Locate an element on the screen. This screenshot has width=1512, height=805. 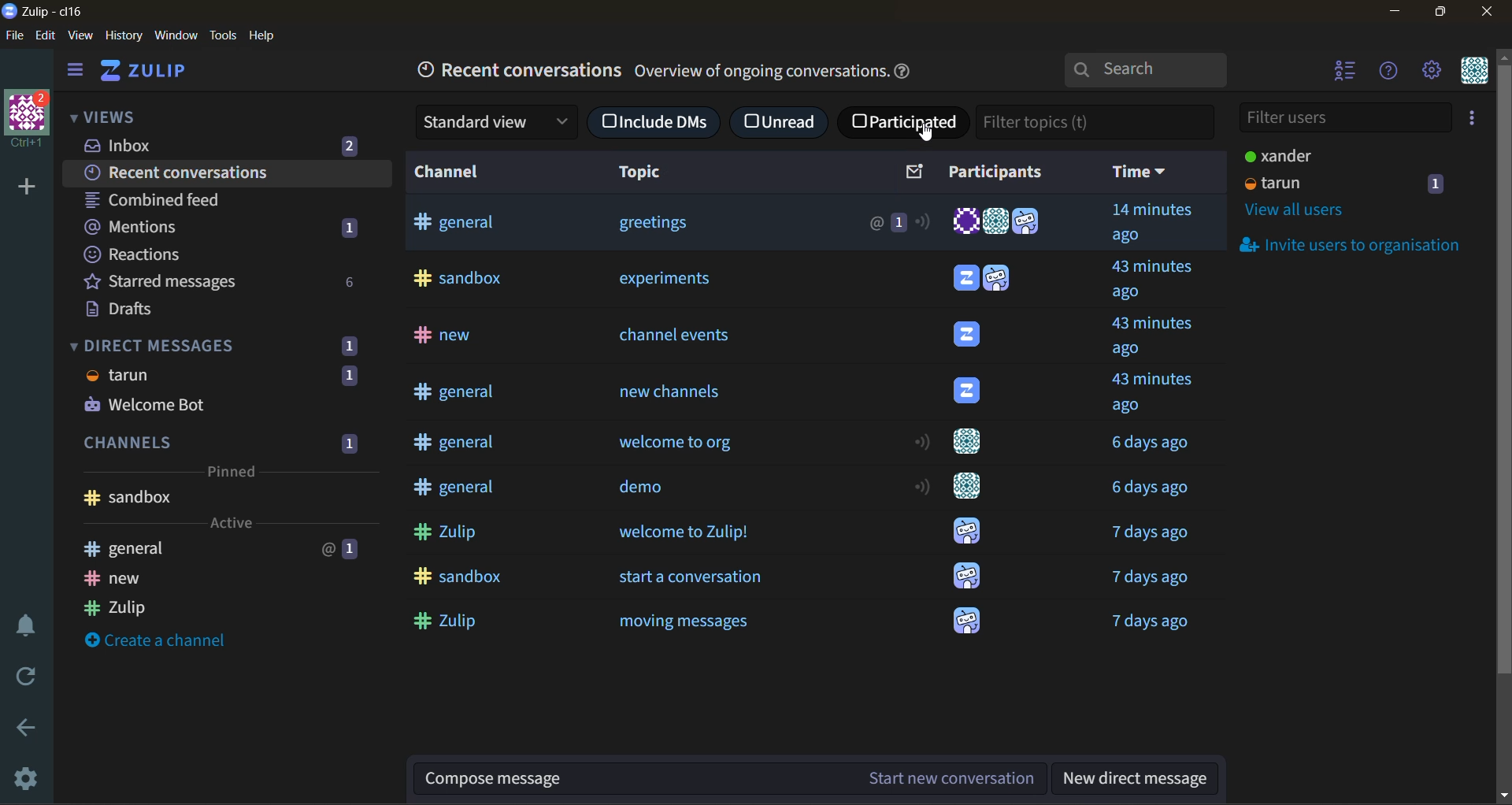
app name and organisation name is located at coordinates (44, 10).